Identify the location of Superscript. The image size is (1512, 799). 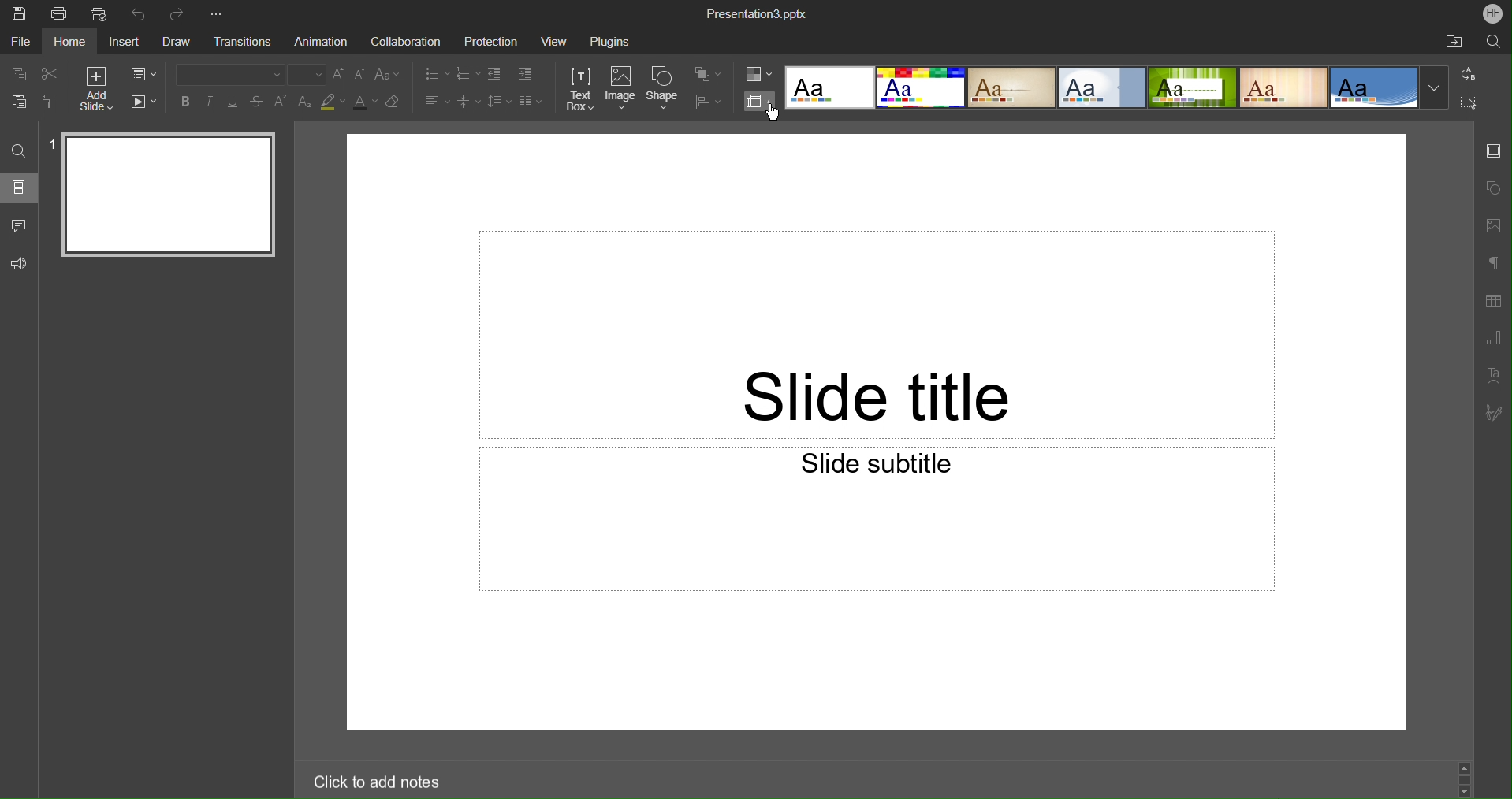
(281, 102).